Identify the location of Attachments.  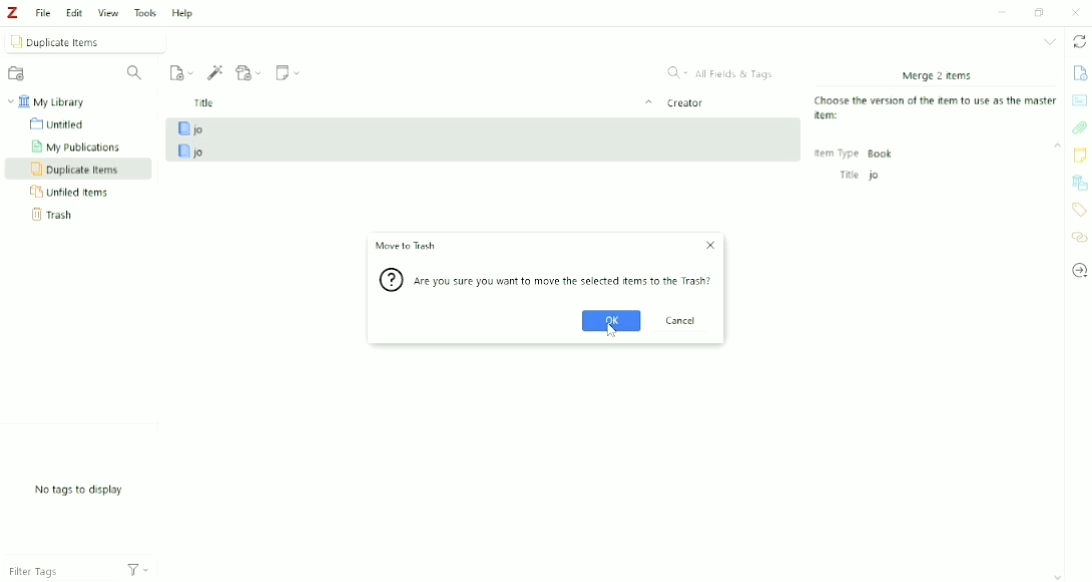
(1079, 127).